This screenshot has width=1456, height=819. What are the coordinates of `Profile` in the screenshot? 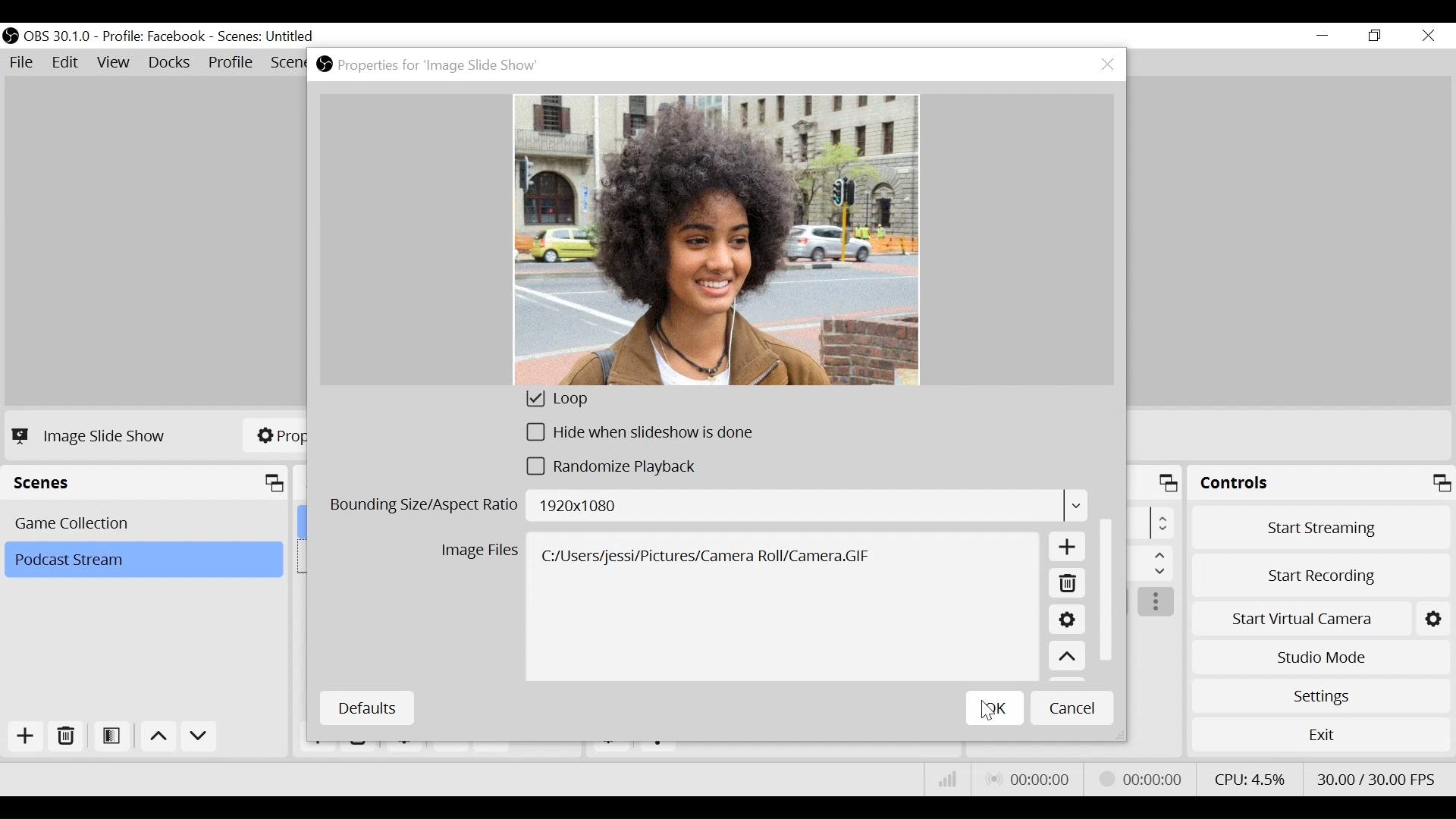 It's located at (231, 64).